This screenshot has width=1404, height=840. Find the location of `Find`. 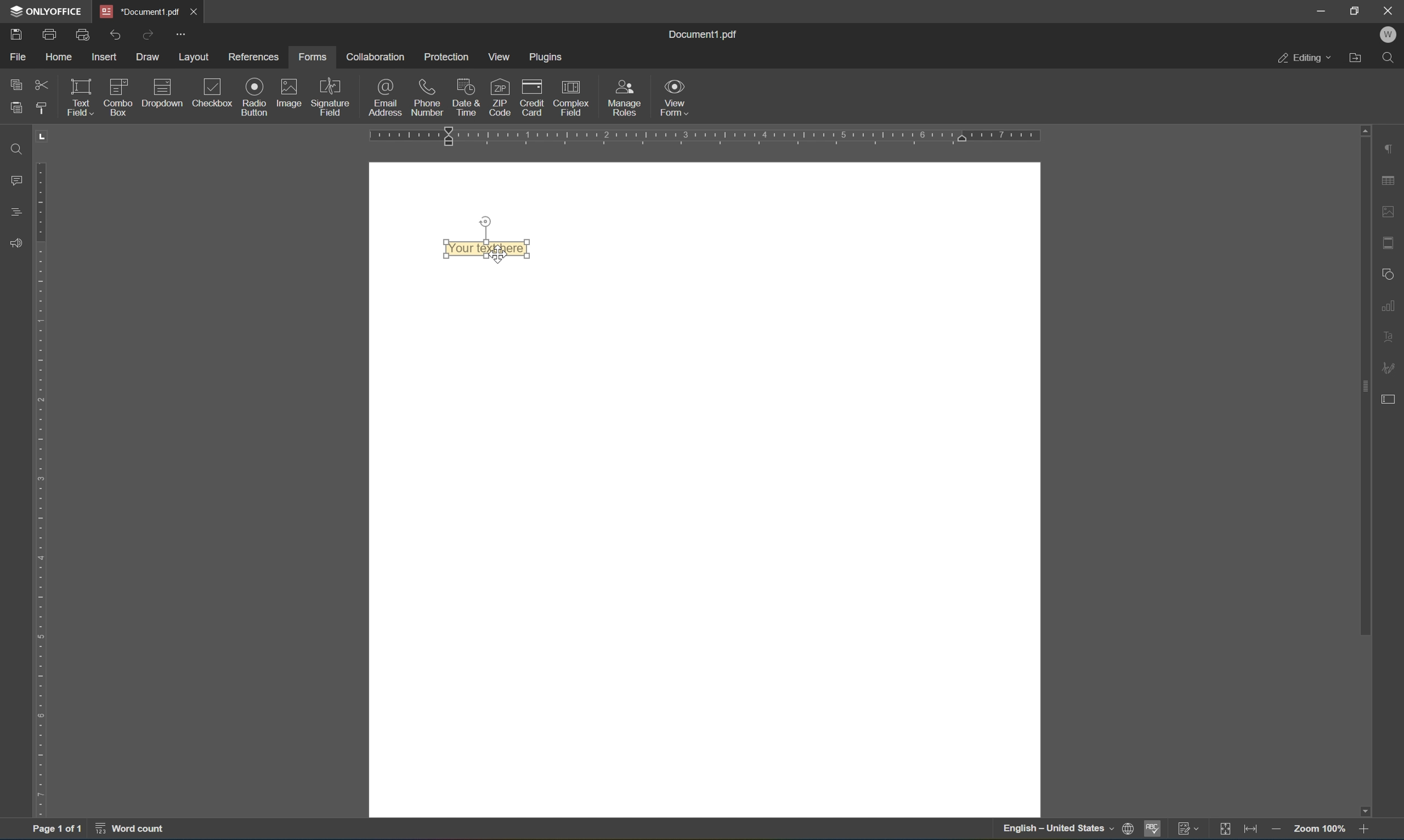

Find is located at coordinates (18, 150).